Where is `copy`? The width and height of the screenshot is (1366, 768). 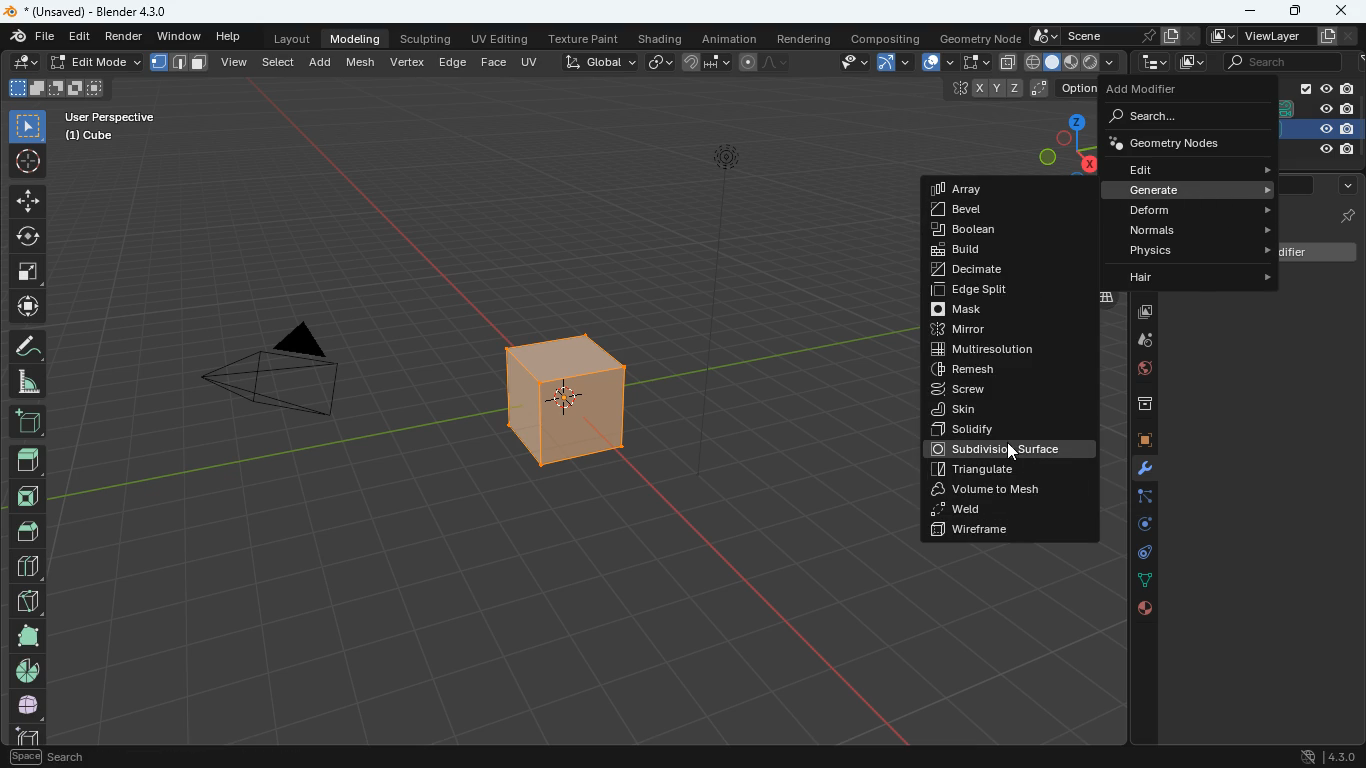 copy is located at coordinates (1008, 62).